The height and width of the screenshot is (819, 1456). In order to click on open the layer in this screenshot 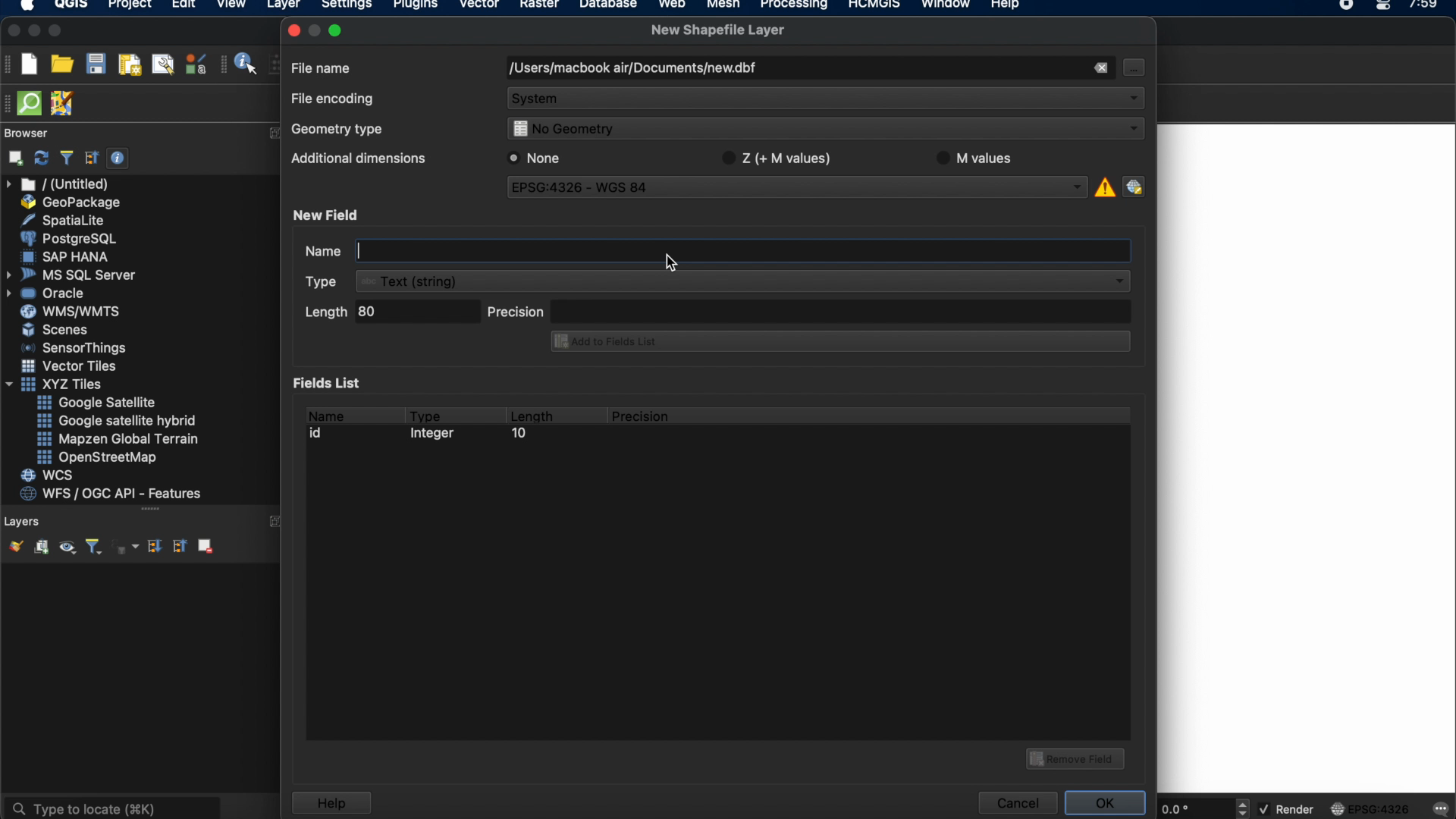, I will do `click(12, 546)`.